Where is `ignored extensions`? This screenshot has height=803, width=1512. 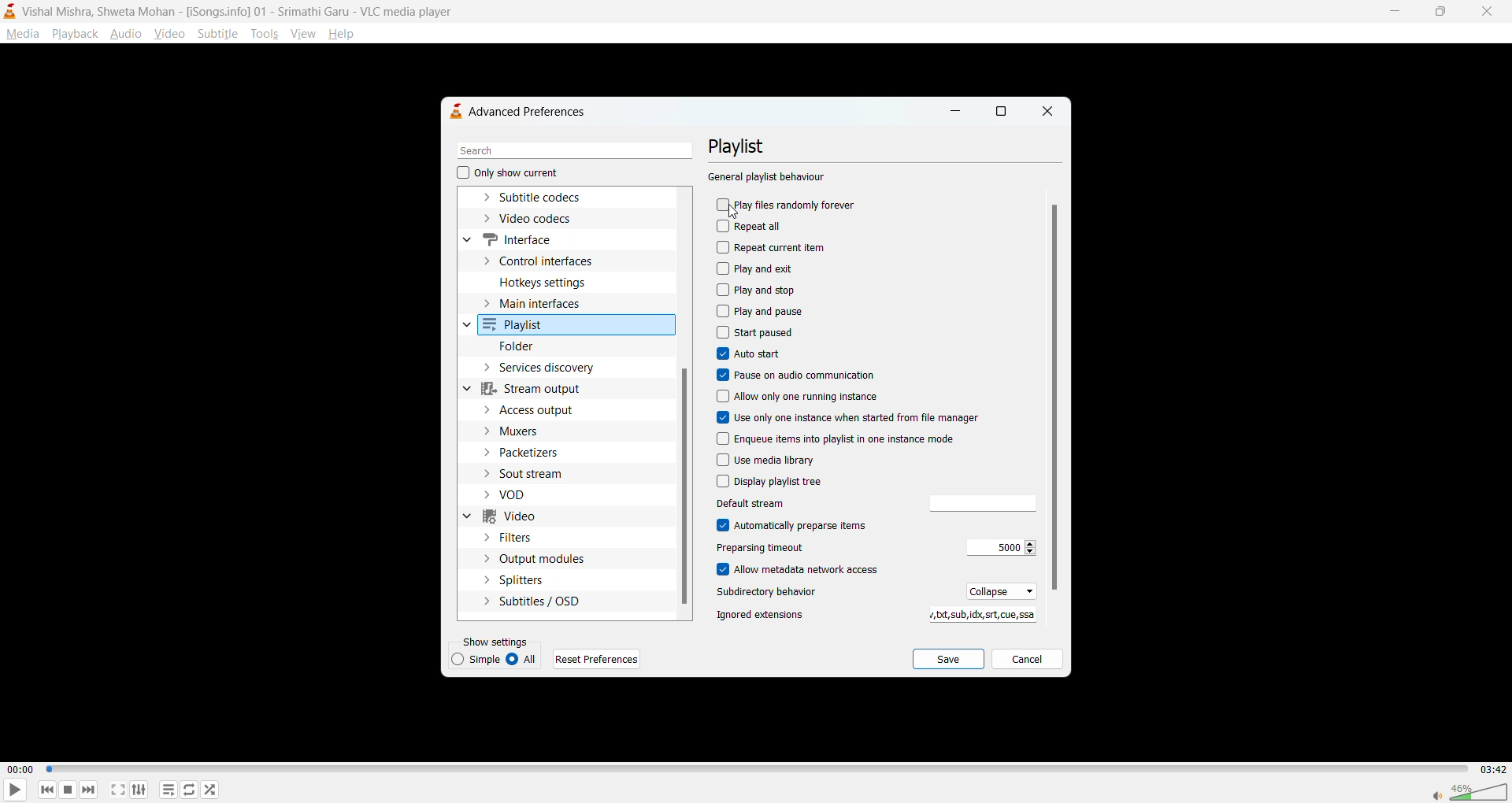
ignored extensions is located at coordinates (763, 615).